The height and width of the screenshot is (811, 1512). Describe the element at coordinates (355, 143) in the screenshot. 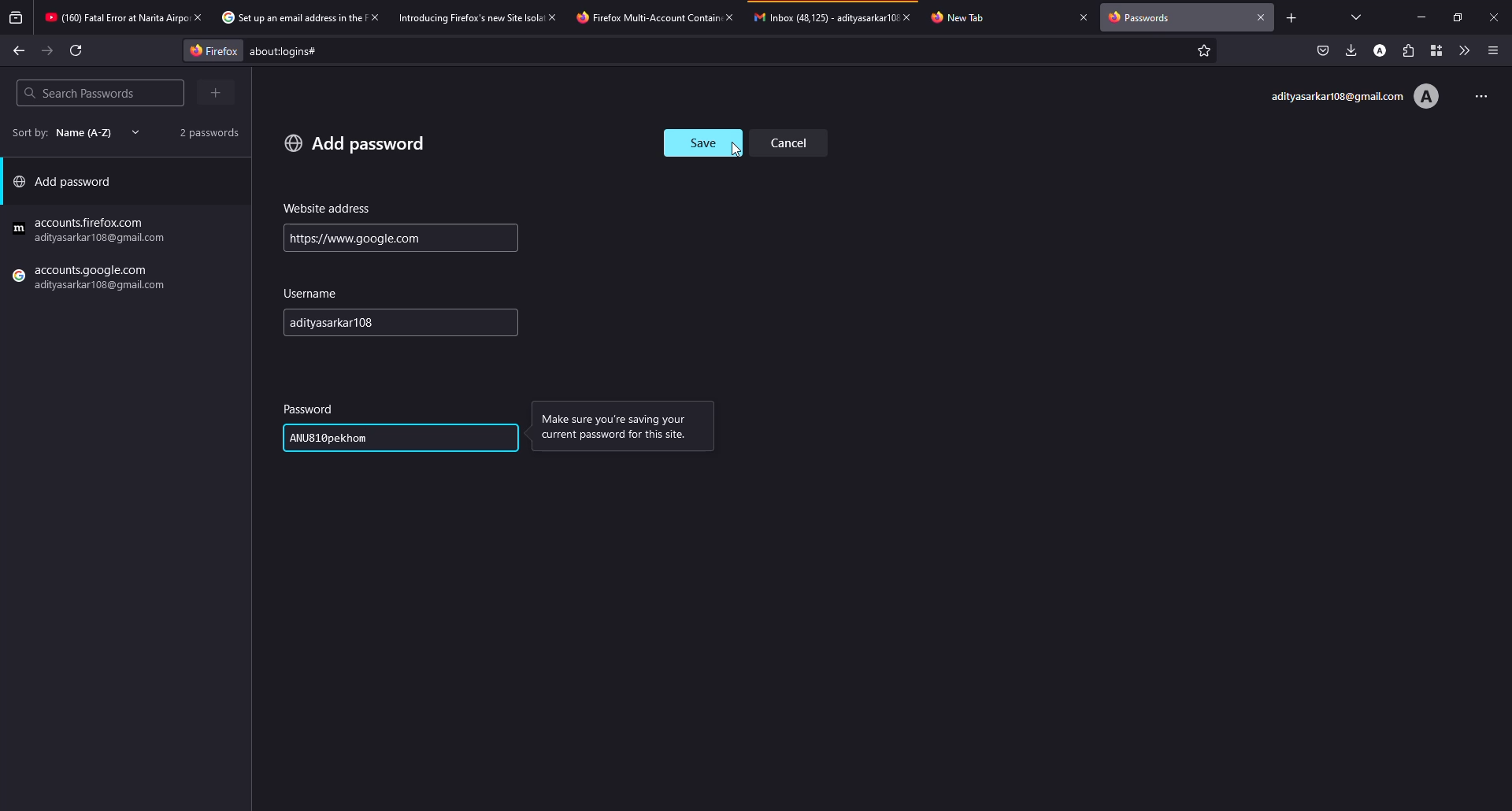

I see `add` at that location.